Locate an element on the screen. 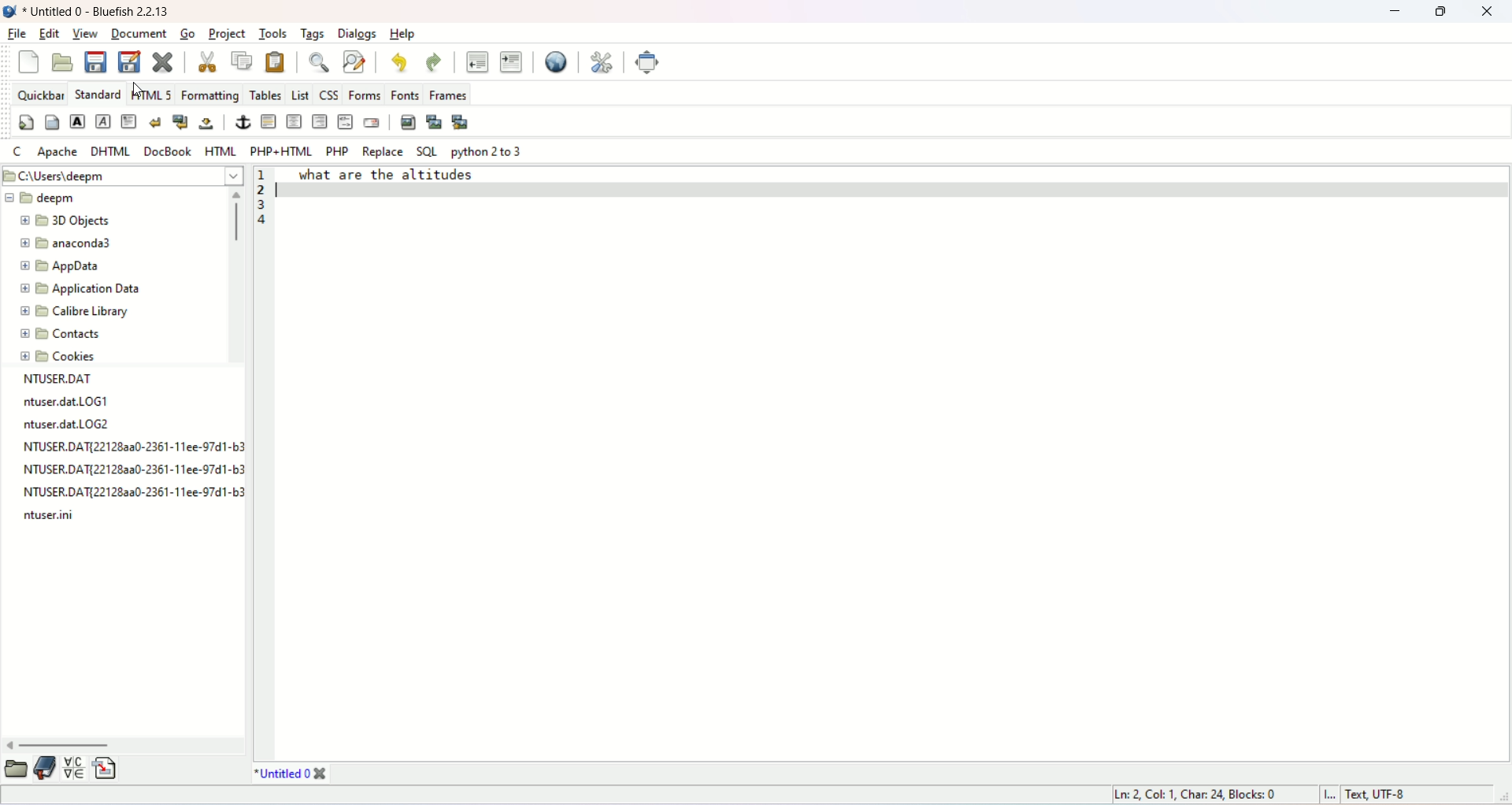 This screenshot has height=805, width=1512. non-breaking space is located at coordinates (205, 124).